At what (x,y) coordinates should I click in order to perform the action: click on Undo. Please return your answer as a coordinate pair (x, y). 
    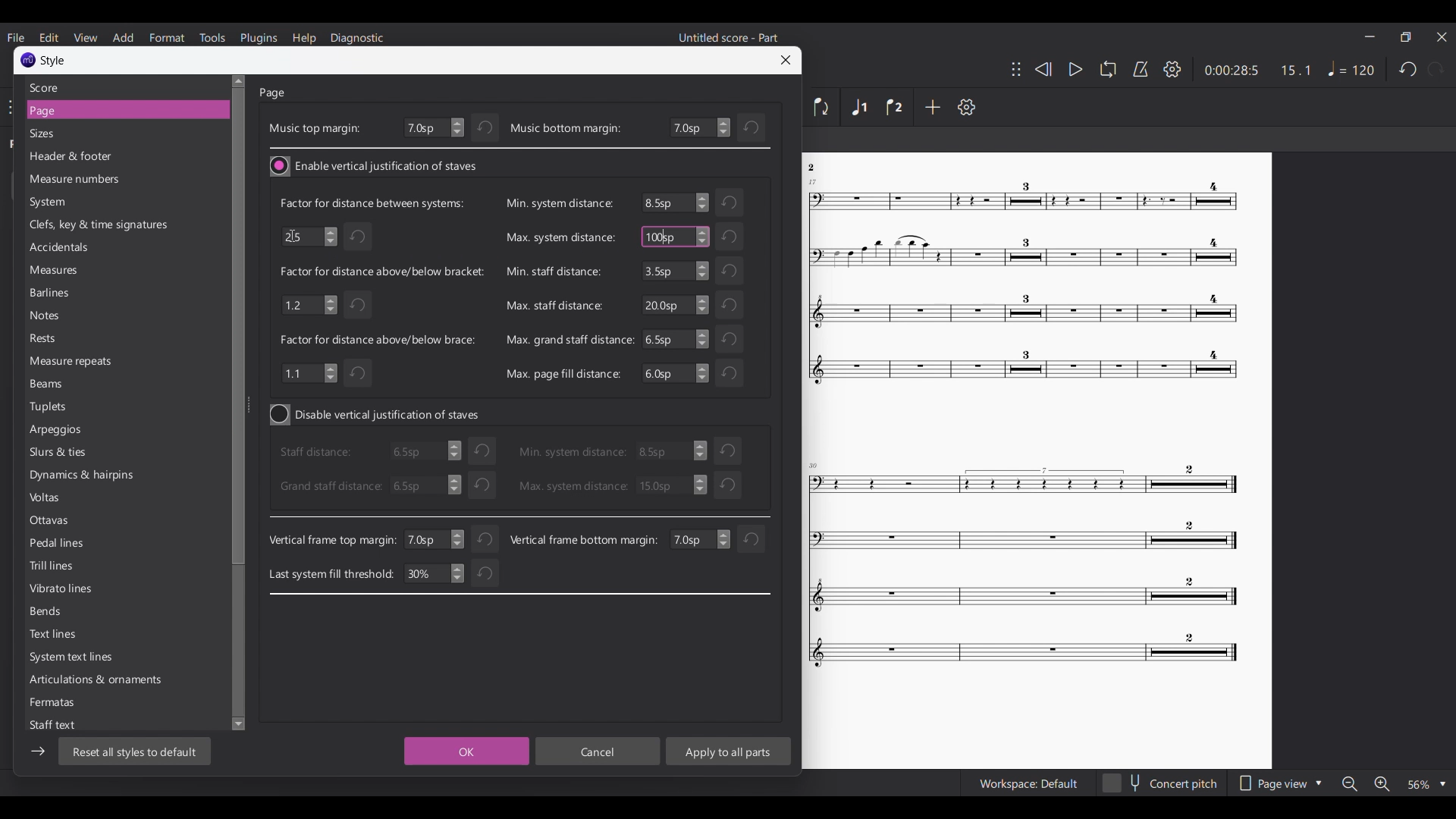
    Looking at the image, I should click on (730, 271).